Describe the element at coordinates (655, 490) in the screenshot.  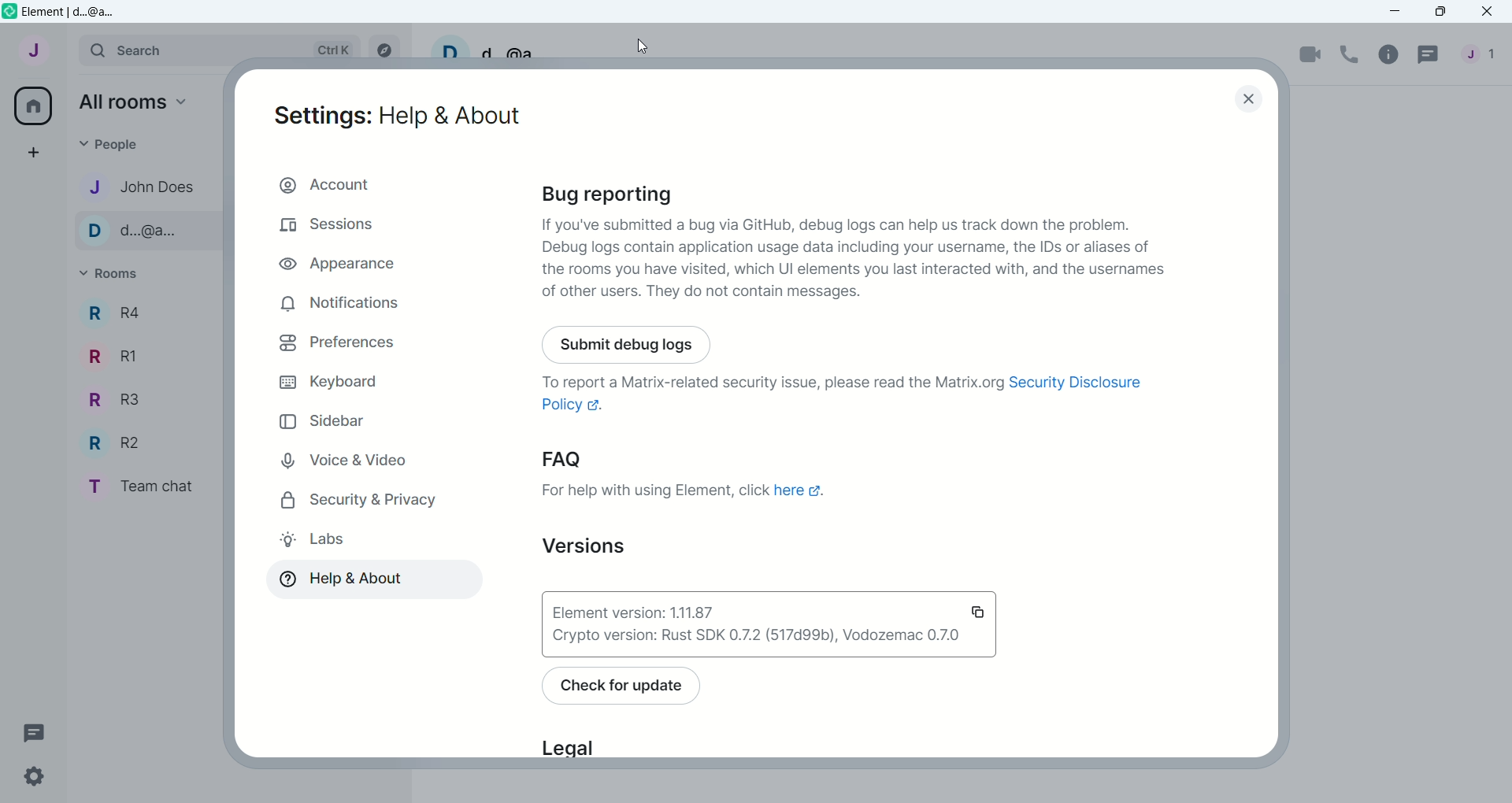
I see `for help with using element click` at that location.